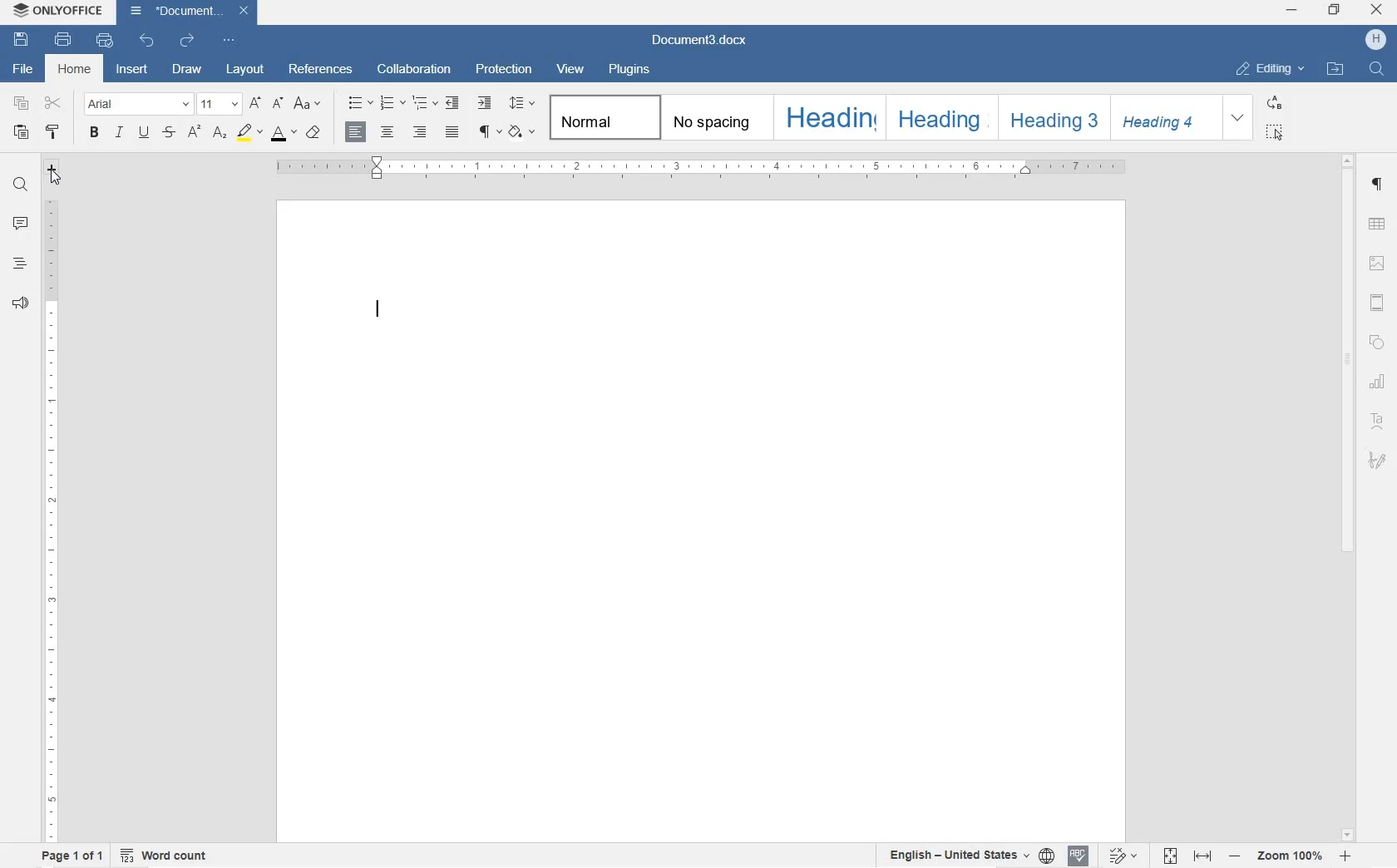 The height and width of the screenshot is (868, 1397). Describe the element at coordinates (143, 133) in the screenshot. I see `UNDERLINE` at that location.